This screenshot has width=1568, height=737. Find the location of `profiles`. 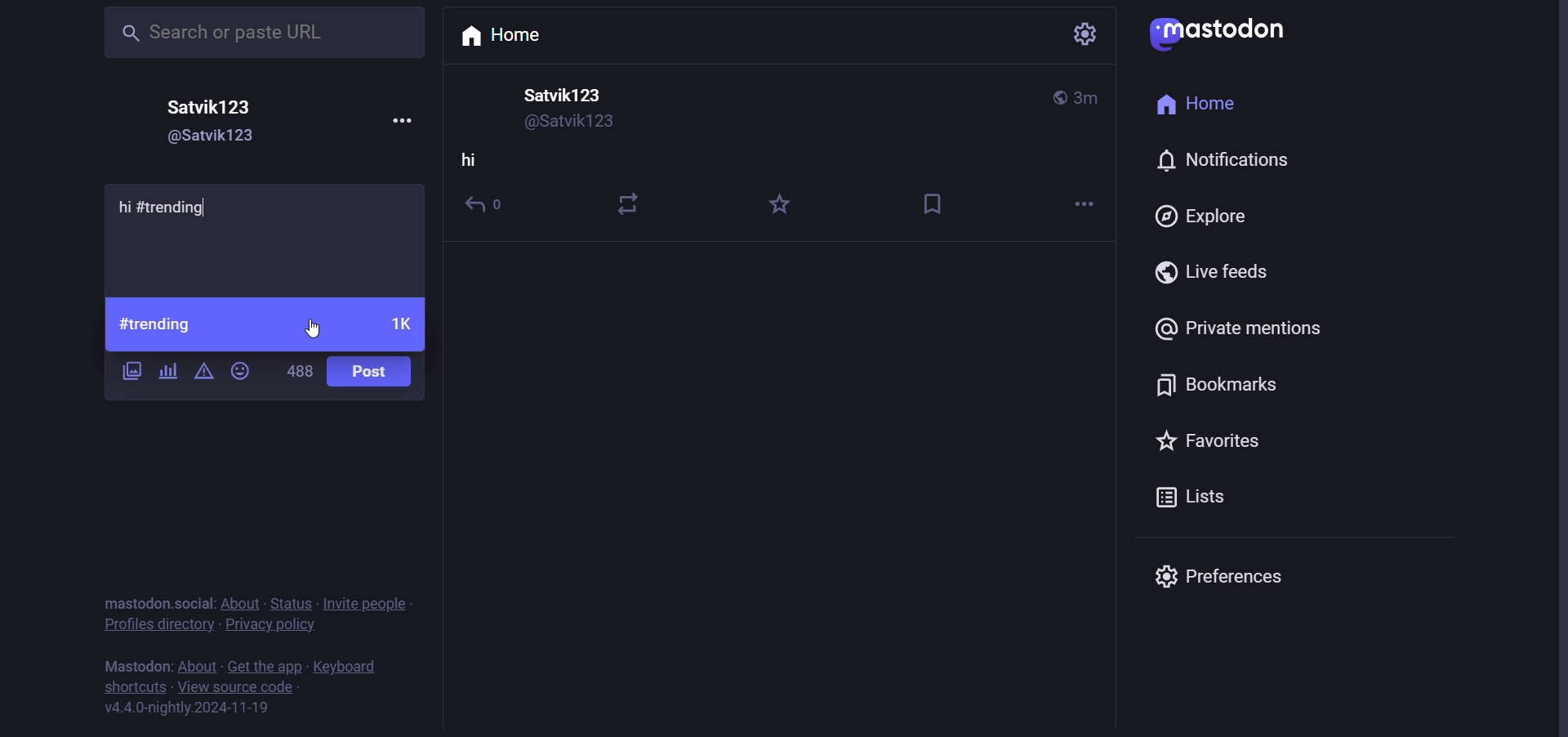

profiles is located at coordinates (157, 628).